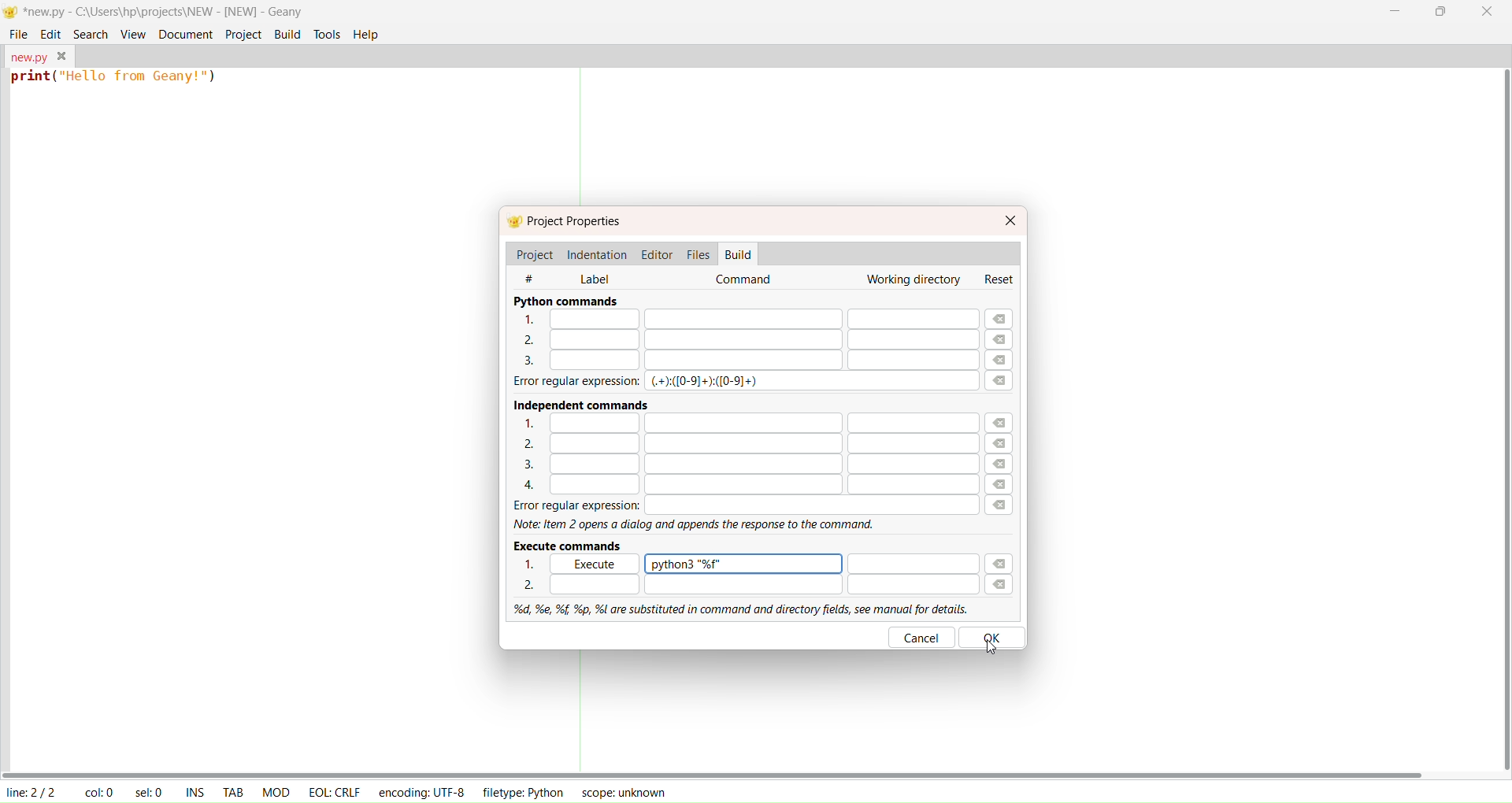  What do you see at coordinates (598, 253) in the screenshot?
I see `indentation` at bounding box center [598, 253].